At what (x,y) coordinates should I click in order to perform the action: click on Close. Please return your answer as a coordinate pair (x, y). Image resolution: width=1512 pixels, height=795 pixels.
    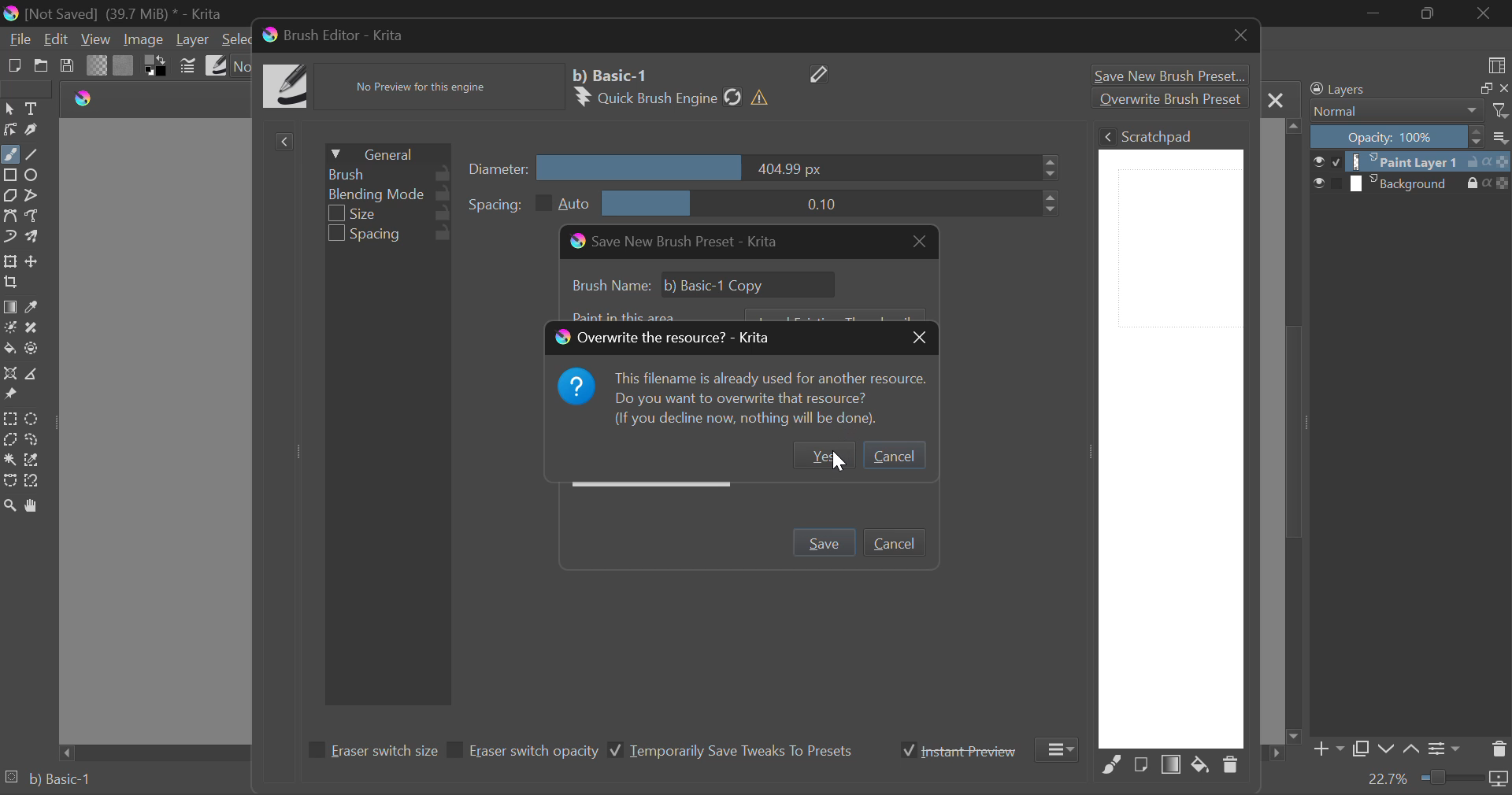
    Looking at the image, I should click on (1276, 99).